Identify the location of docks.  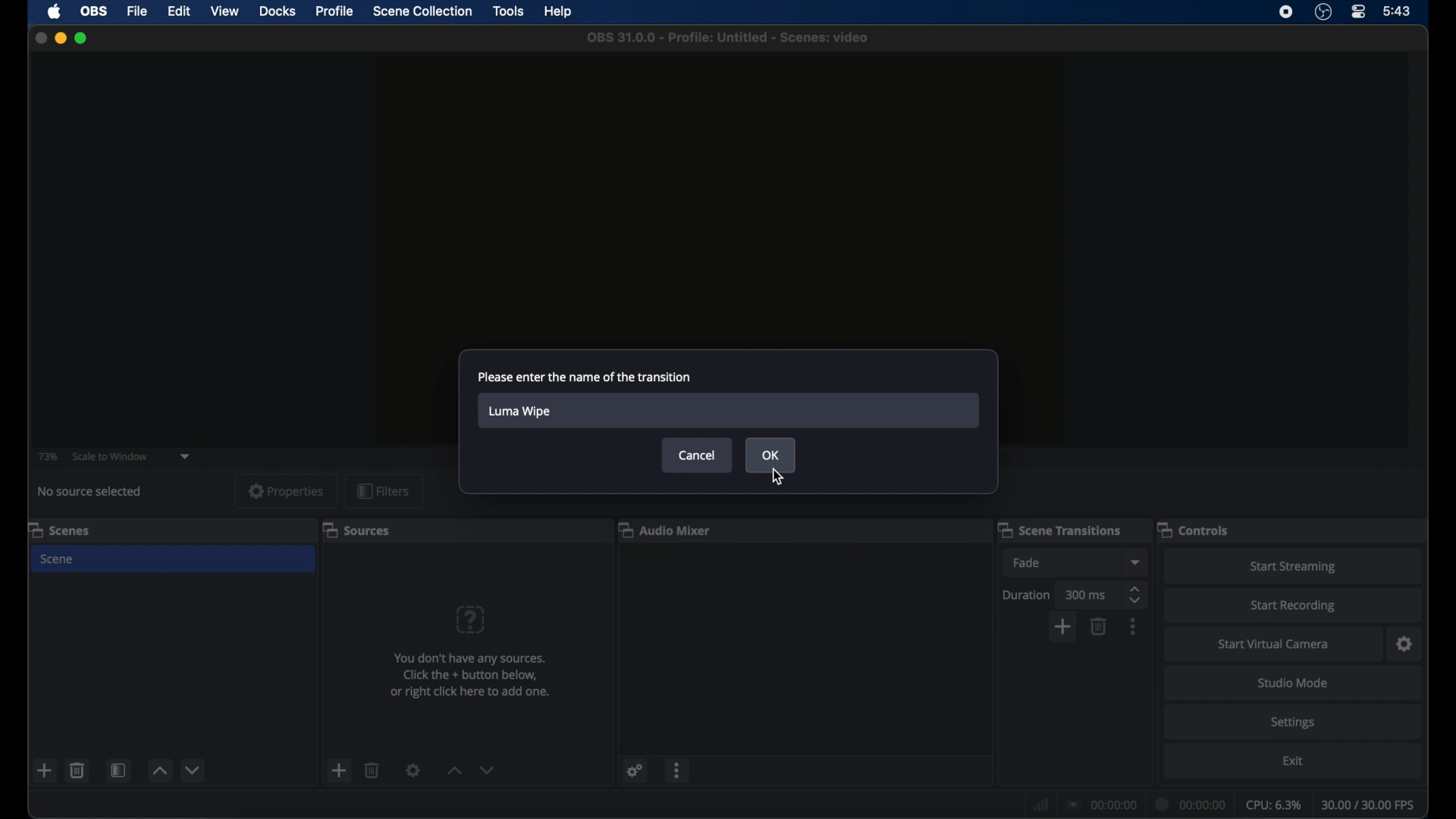
(278, 12).